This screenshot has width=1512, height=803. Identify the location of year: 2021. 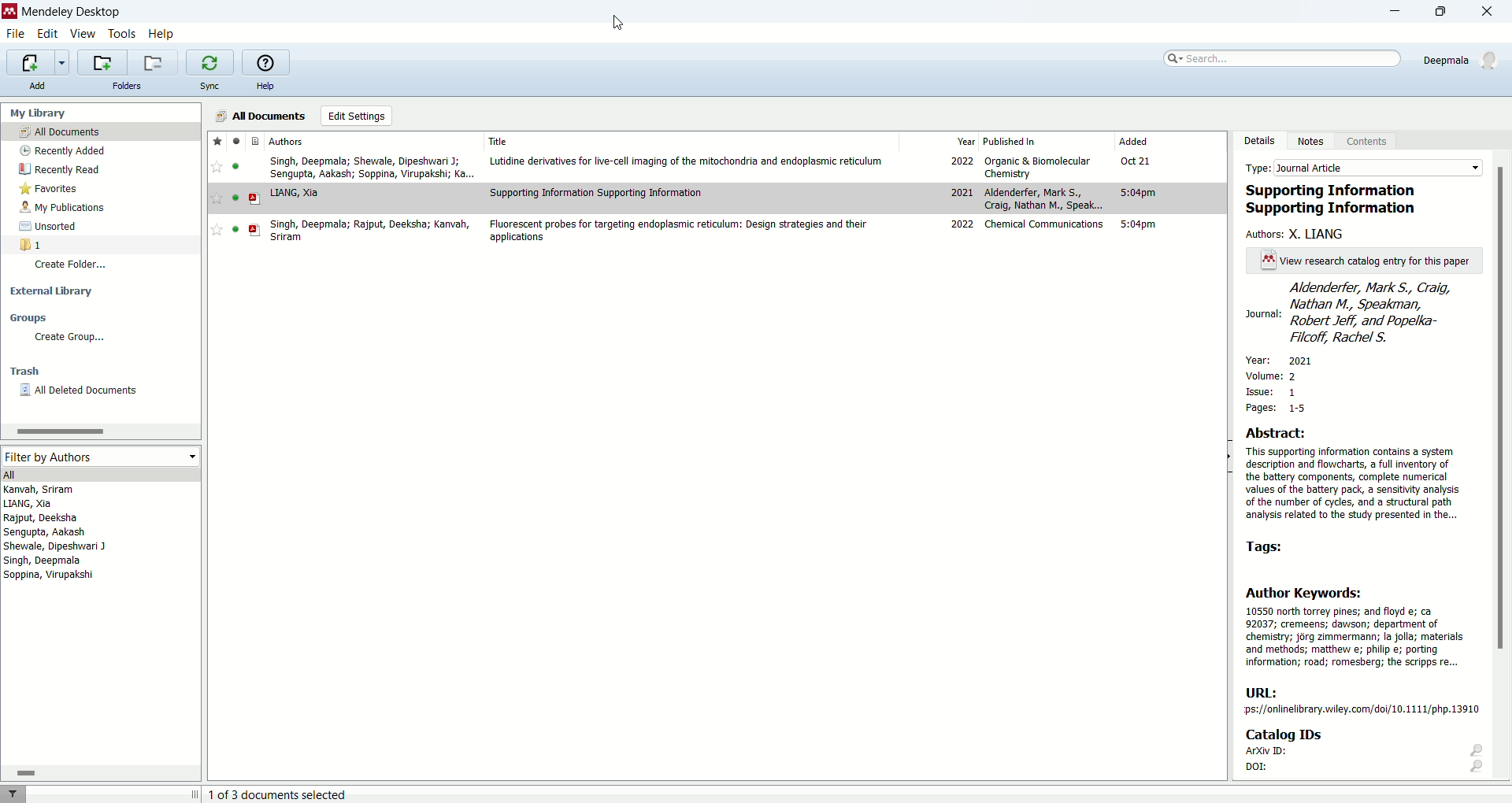
(1288, 359).